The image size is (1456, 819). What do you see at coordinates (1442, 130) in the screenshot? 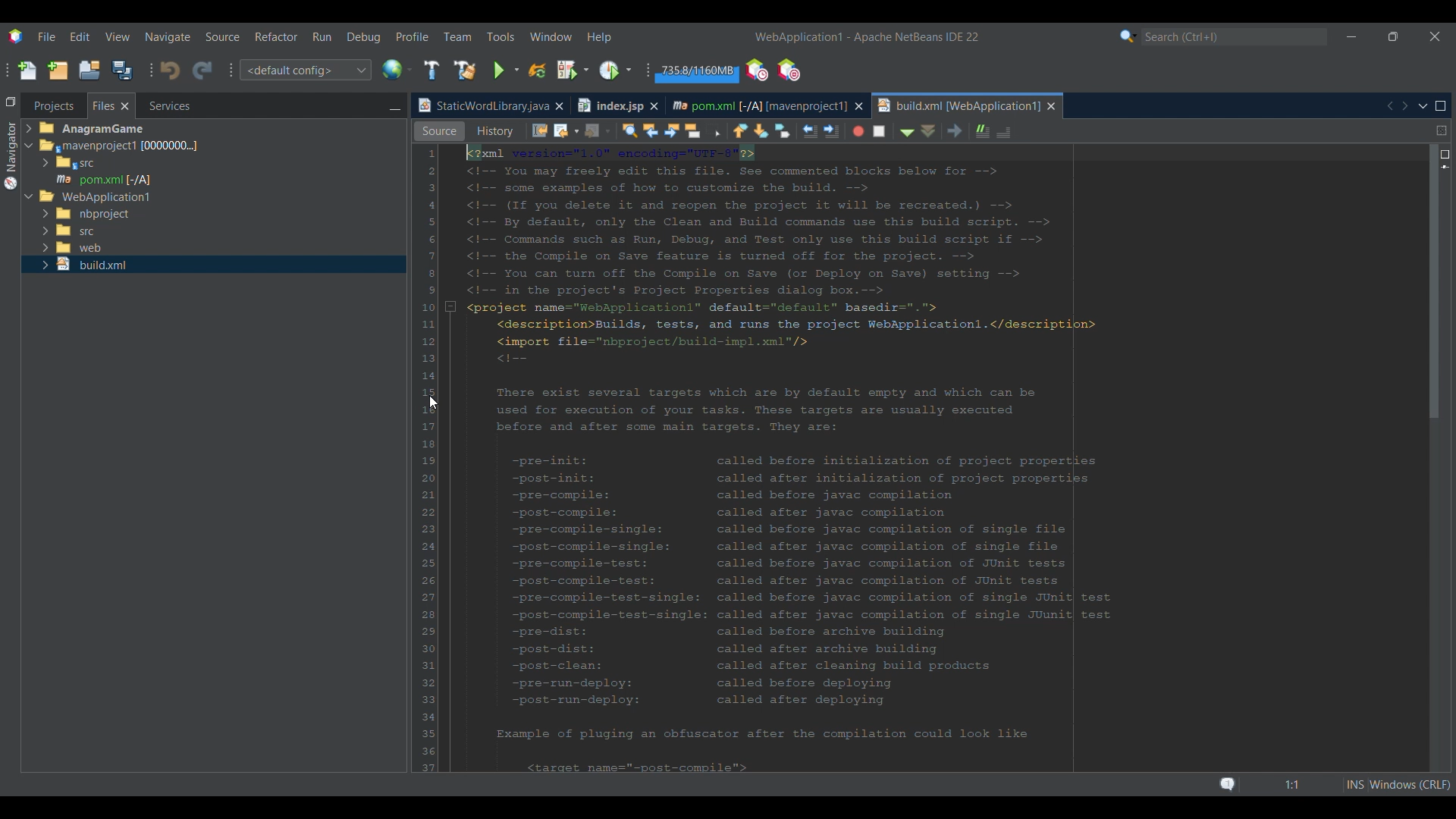
I see `Split window horizontally or vertically` at bounding box center [1442, 130].